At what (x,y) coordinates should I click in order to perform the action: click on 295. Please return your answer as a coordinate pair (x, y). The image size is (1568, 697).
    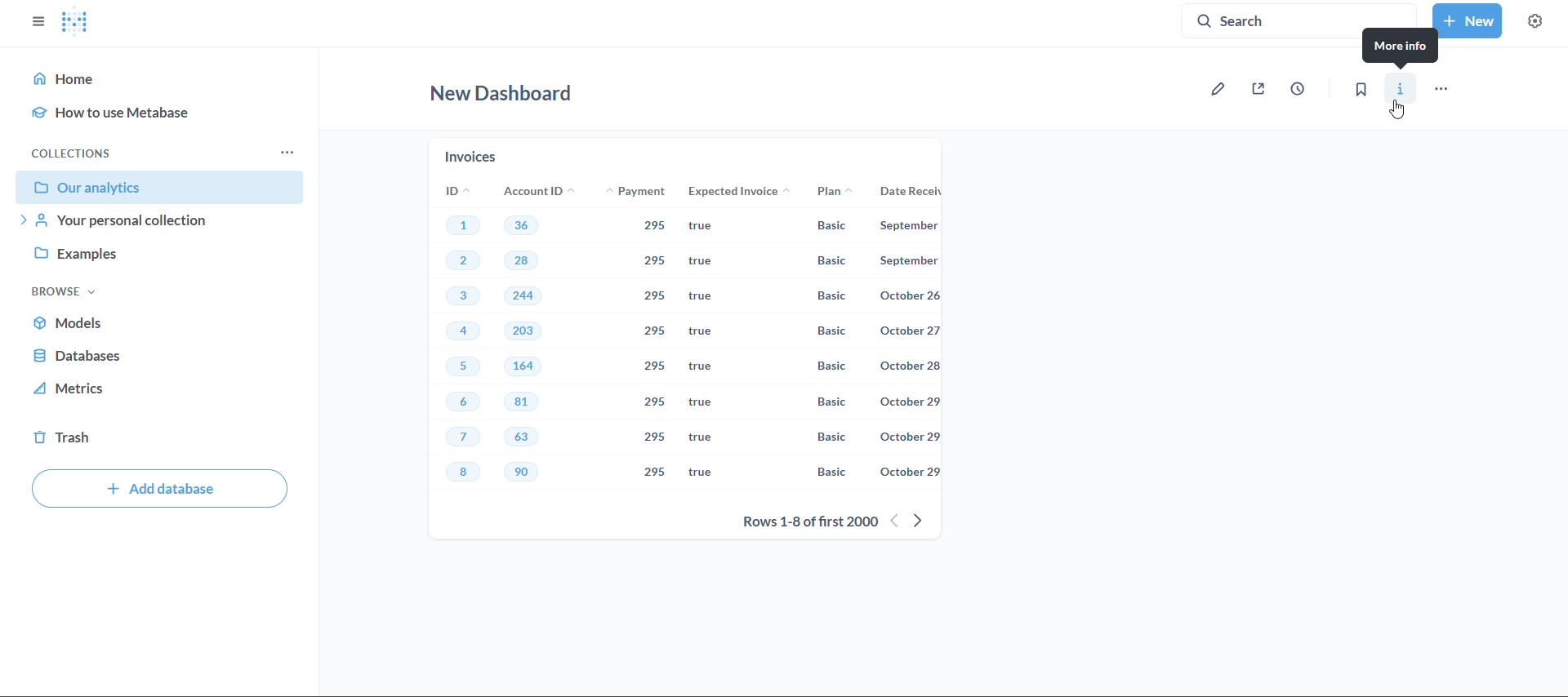
    Looking at the image, I should click on (656, 295).